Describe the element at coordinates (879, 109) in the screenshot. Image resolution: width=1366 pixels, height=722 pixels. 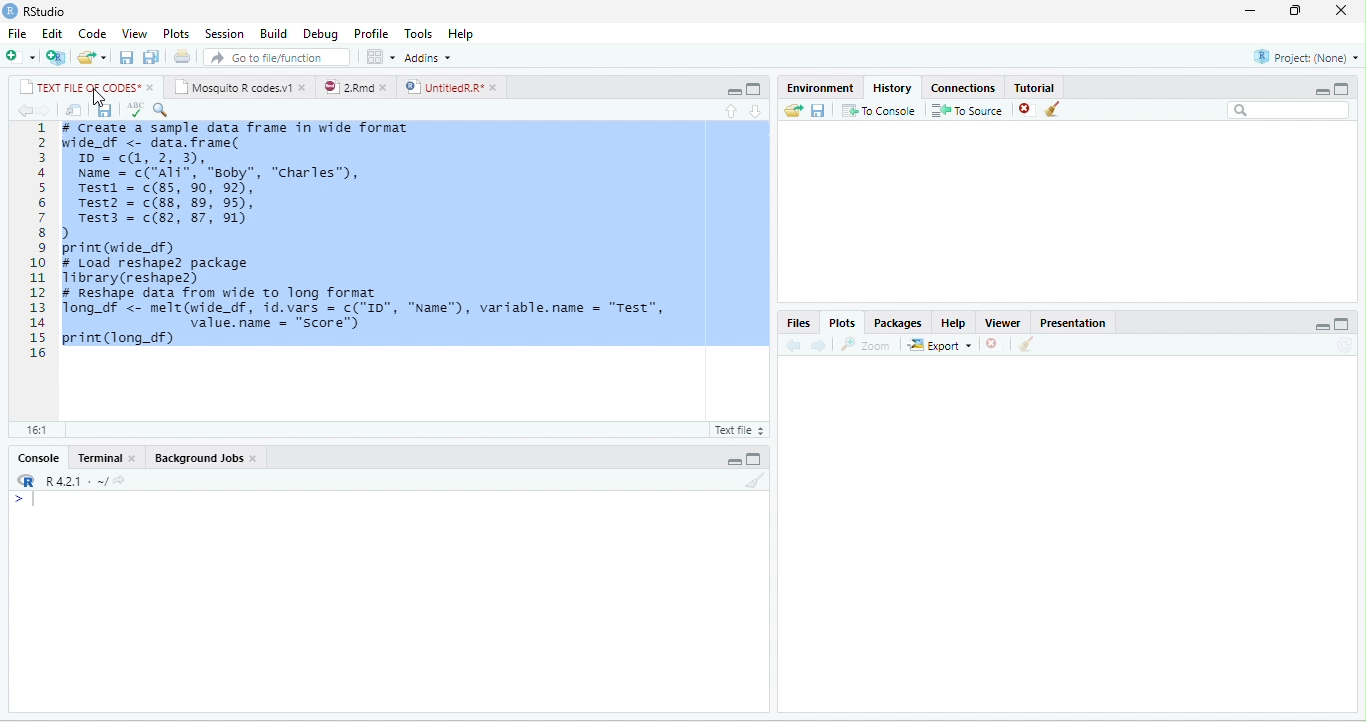
I see `To Console` at that location.